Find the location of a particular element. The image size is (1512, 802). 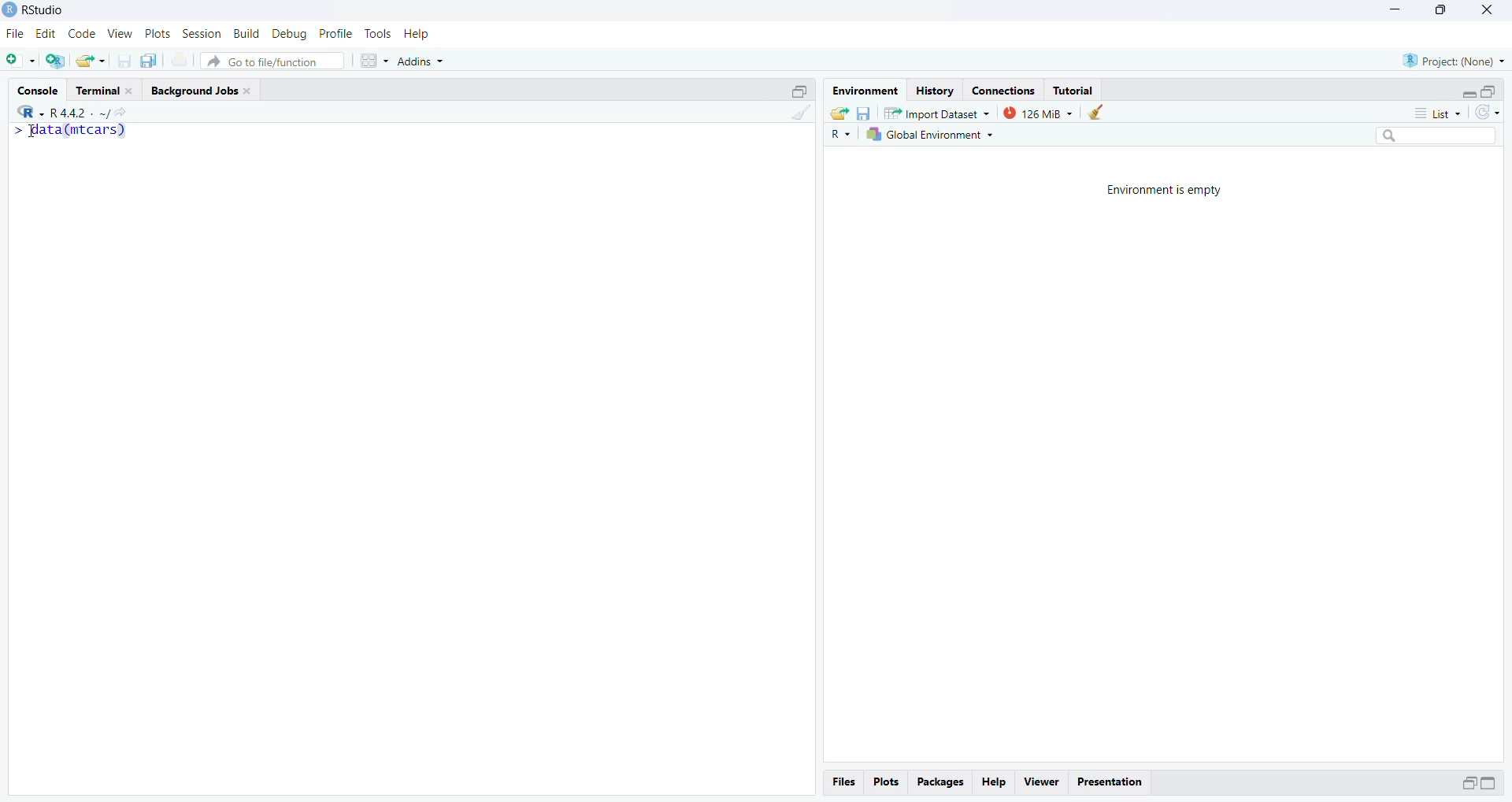

Edit is located at coordinates (47, 34).